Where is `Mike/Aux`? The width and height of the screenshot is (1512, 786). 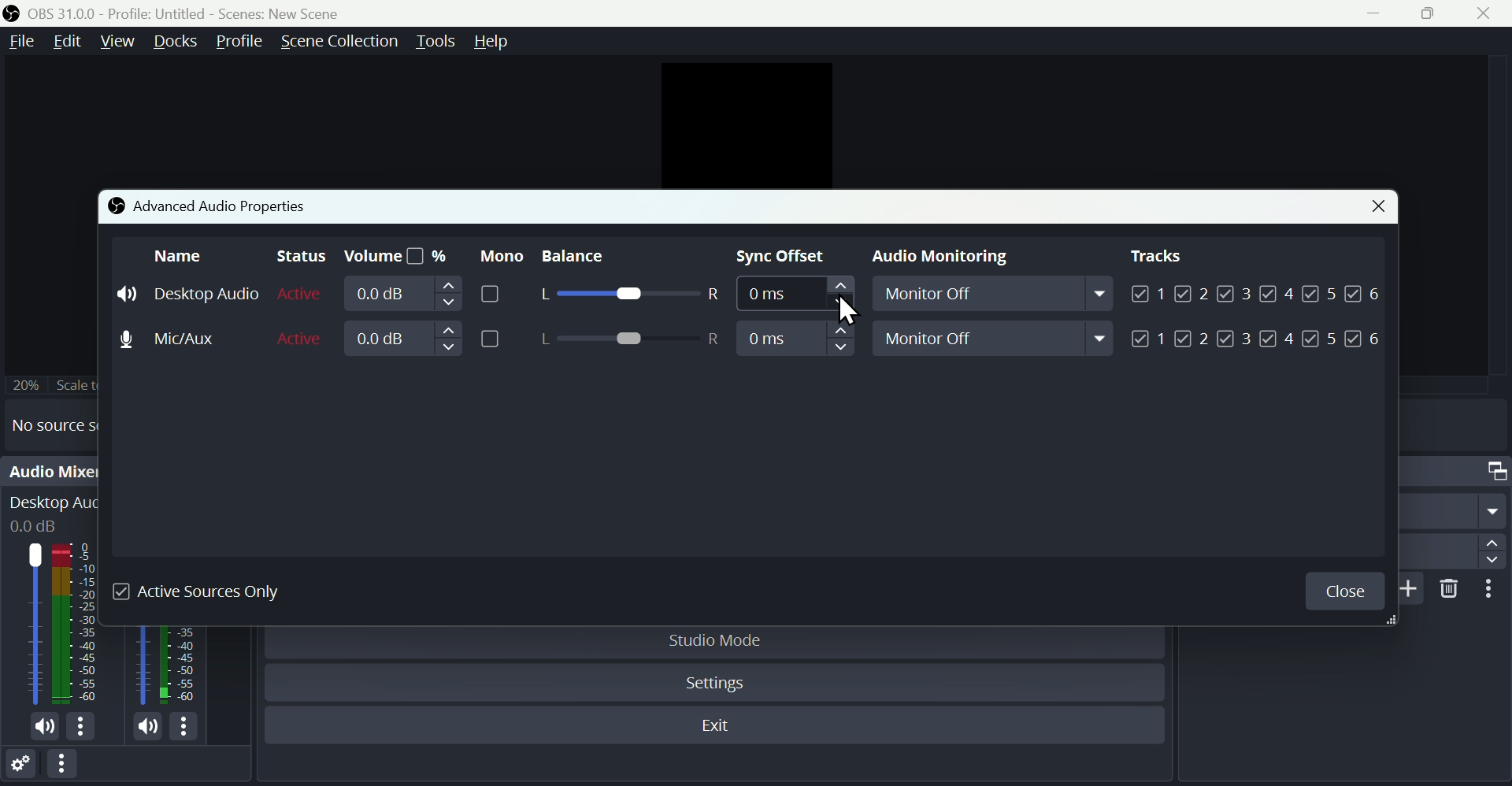
Mike/Aux is located at coordinates (183, 337).